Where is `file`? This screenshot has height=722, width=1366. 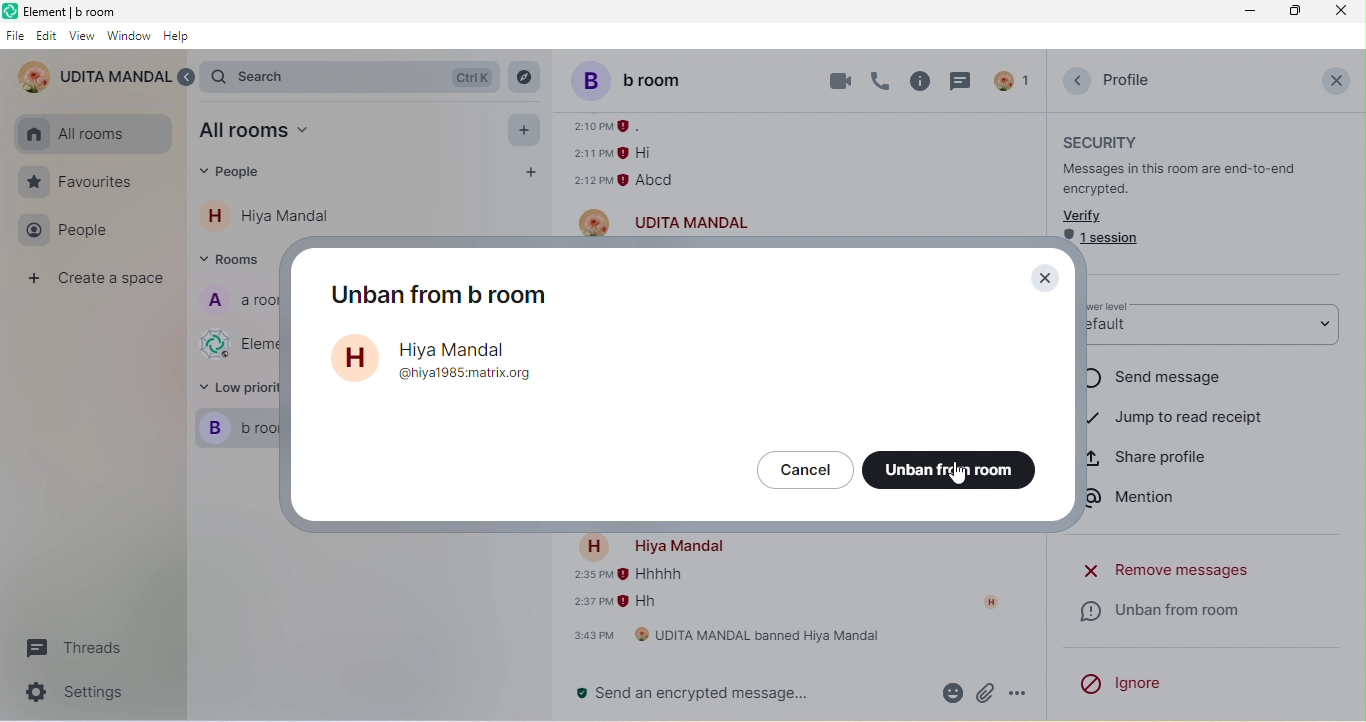
file is located at coordinates (15, 37).